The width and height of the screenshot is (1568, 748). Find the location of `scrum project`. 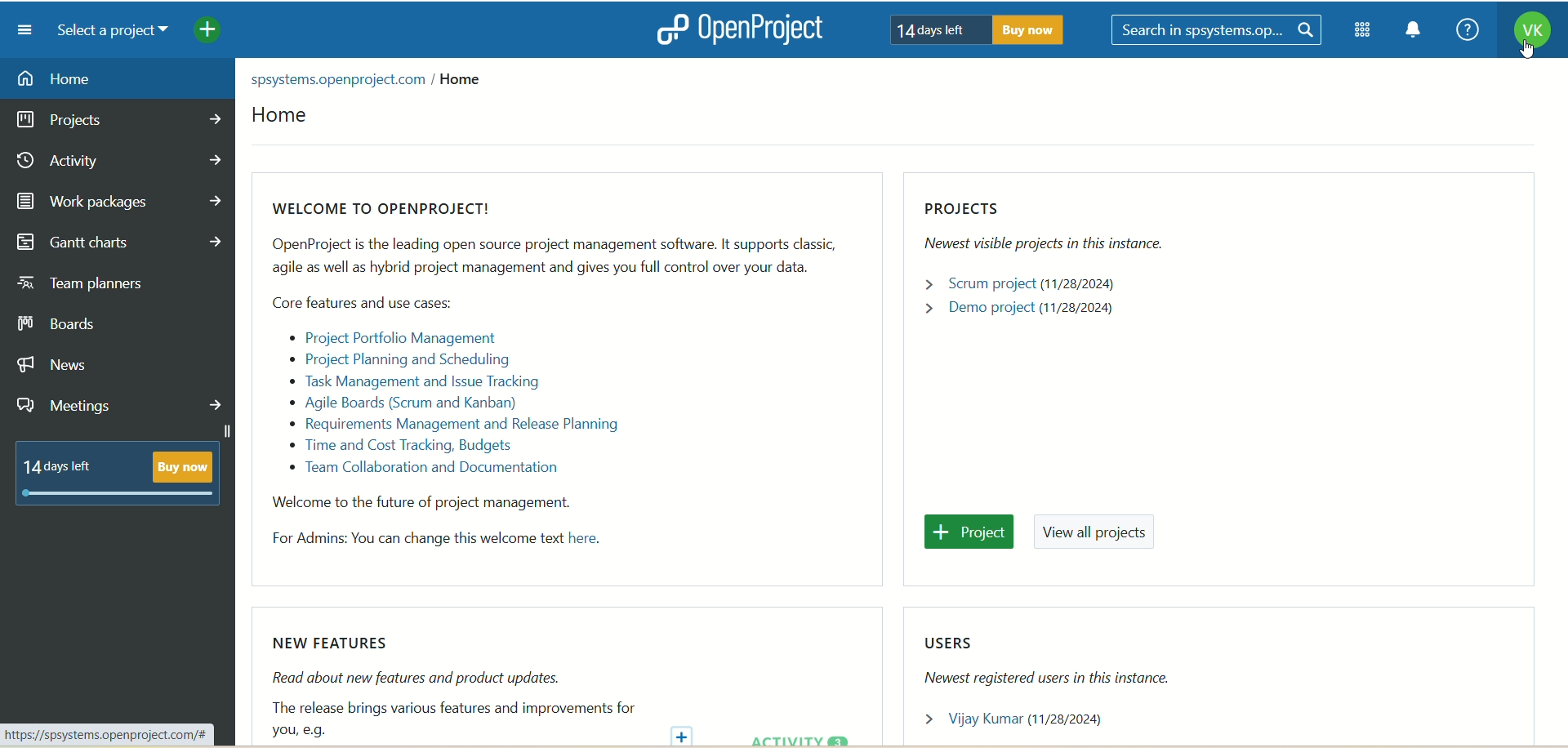

scrum project is located at coordinates (1036, 283).